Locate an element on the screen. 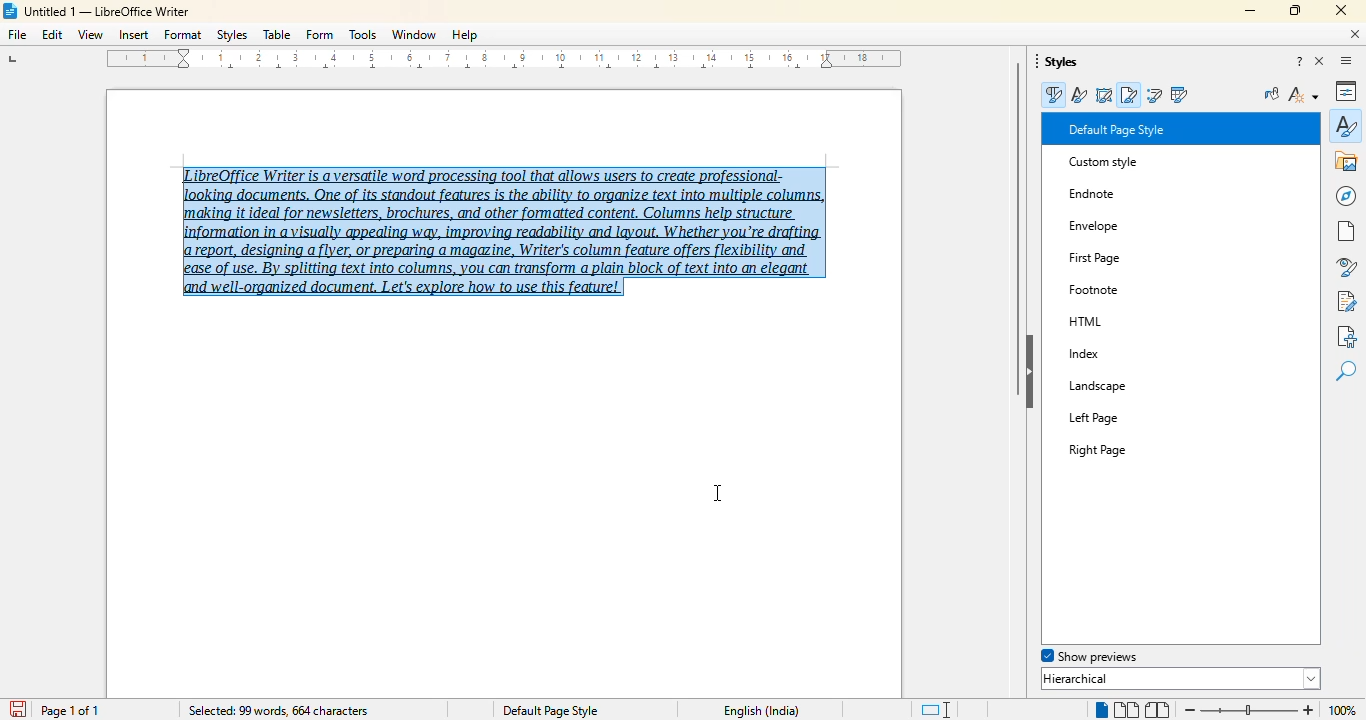  Default page style is located at coordinates (550, 710).